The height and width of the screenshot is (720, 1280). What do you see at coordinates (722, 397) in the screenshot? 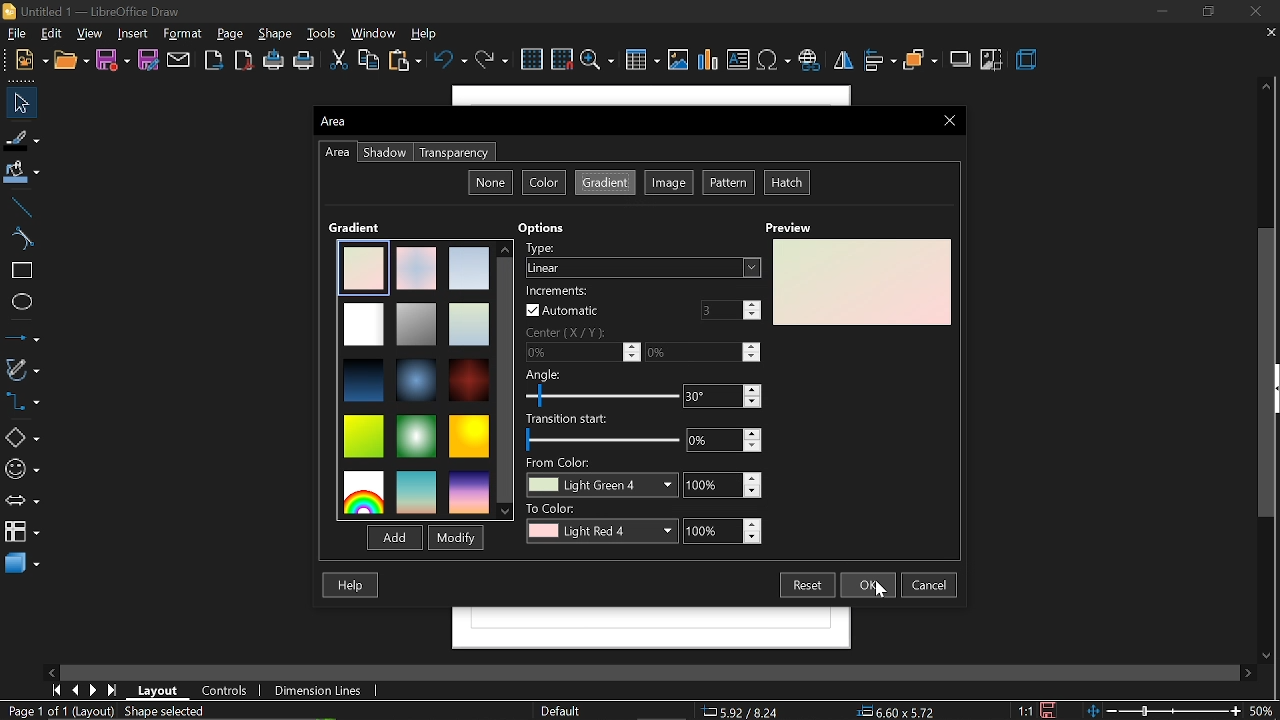
I see `angle value` at bounding box center [722, 397].